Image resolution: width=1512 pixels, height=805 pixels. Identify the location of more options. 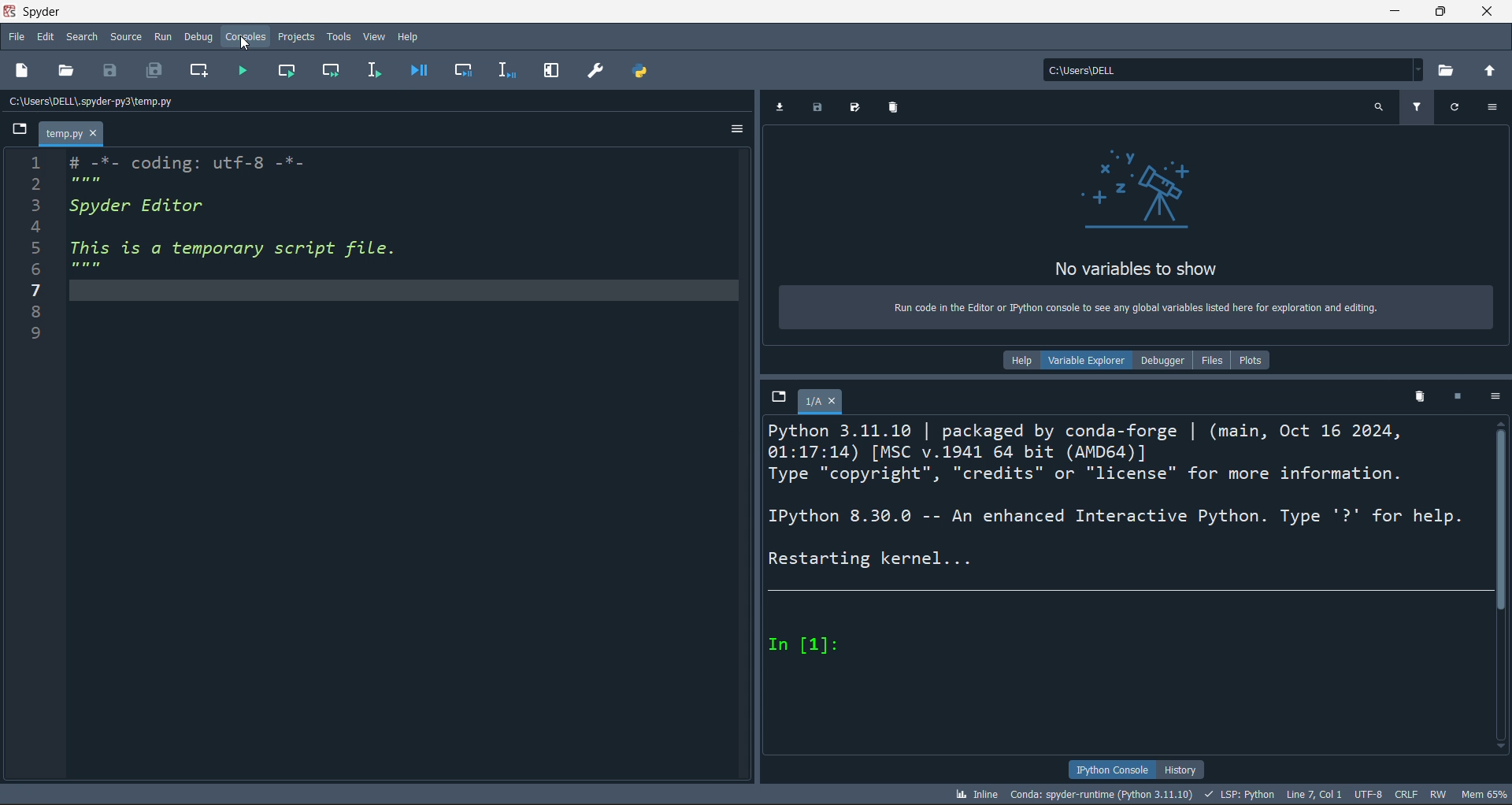
(1495, 108).